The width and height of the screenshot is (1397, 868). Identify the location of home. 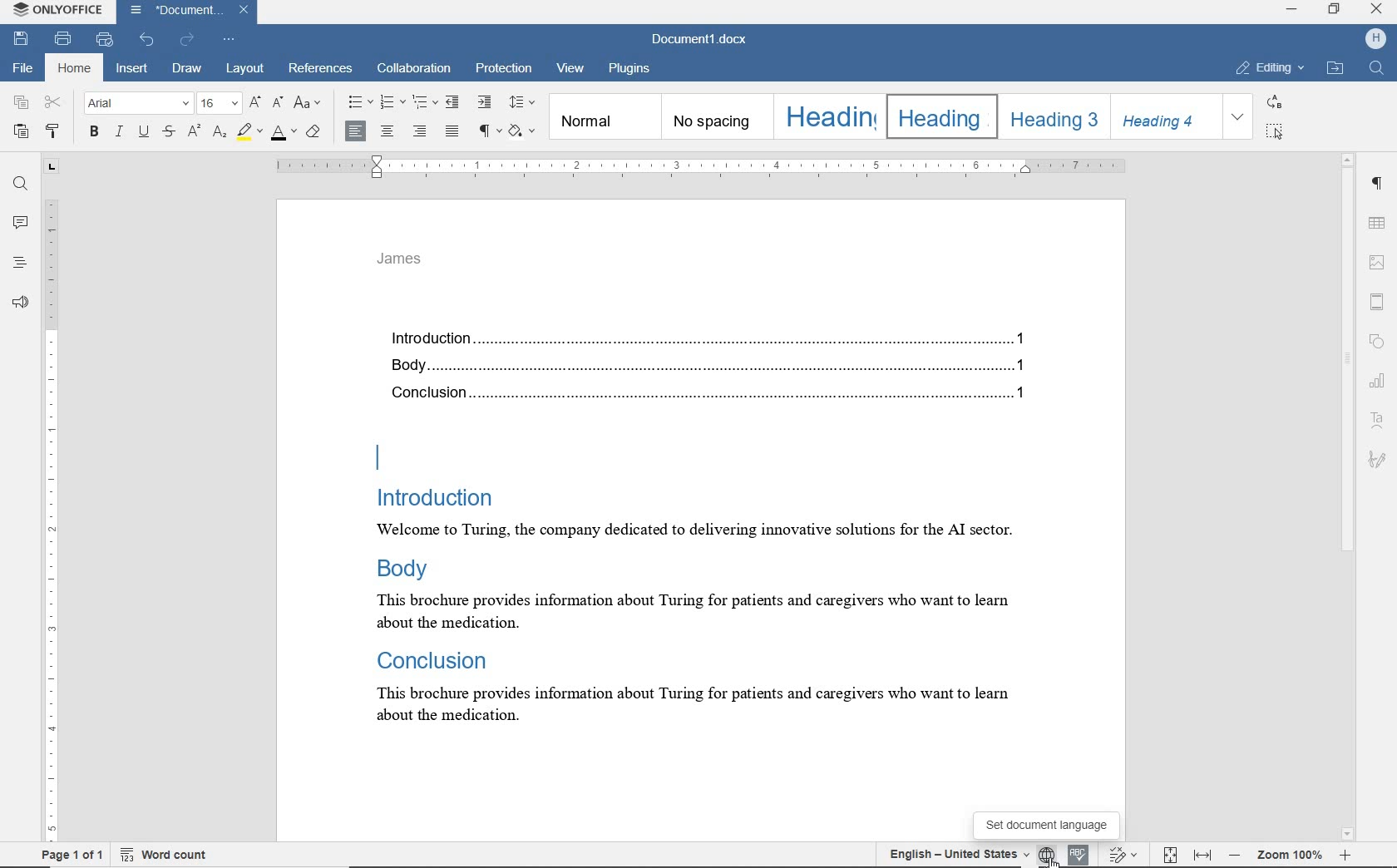
(73, 69).